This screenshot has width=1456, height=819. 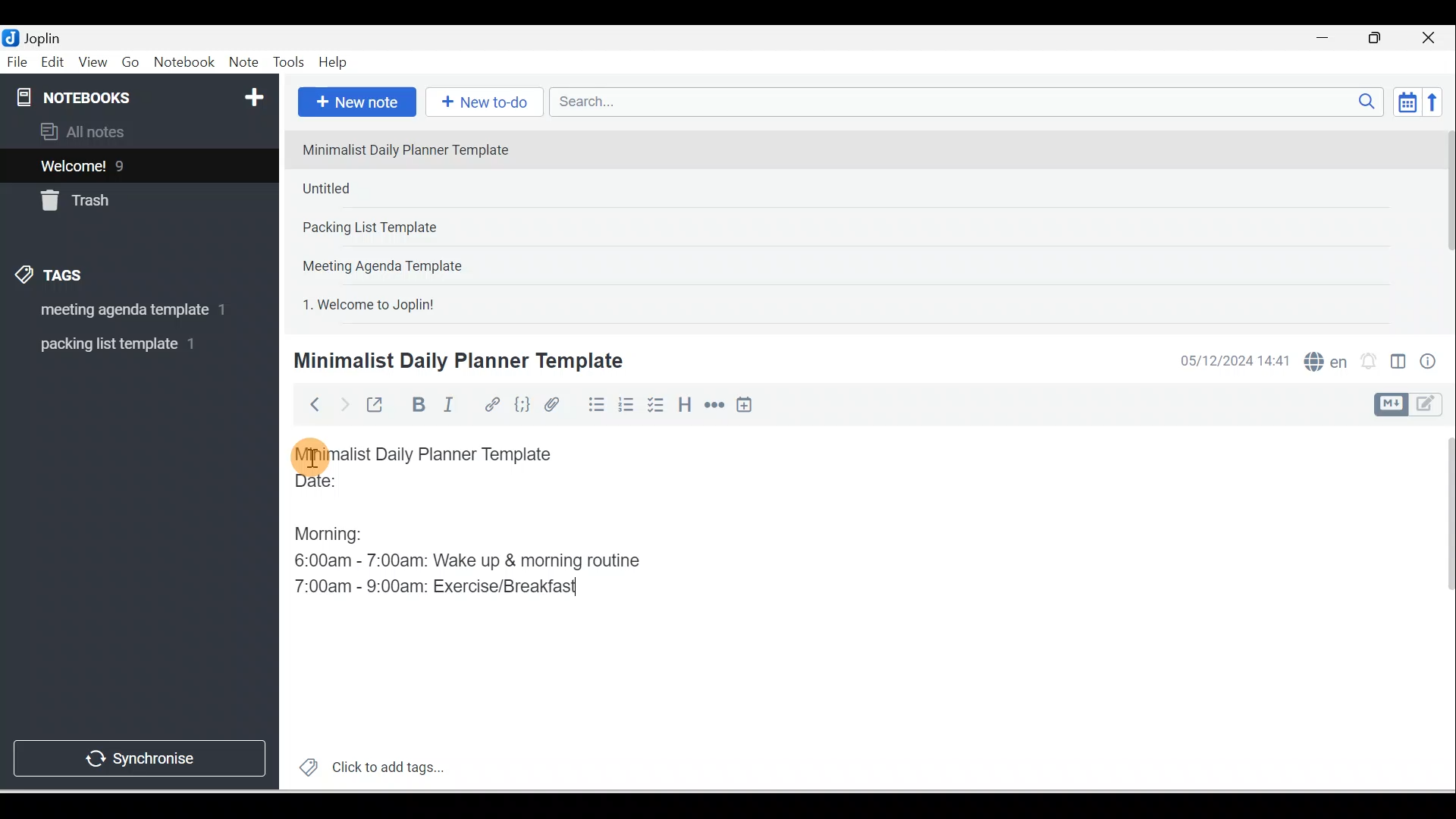 What do you see at coordinates (491, 406) in the screenshot?
I see `Hyperlink` at bounding box center [491, 406].